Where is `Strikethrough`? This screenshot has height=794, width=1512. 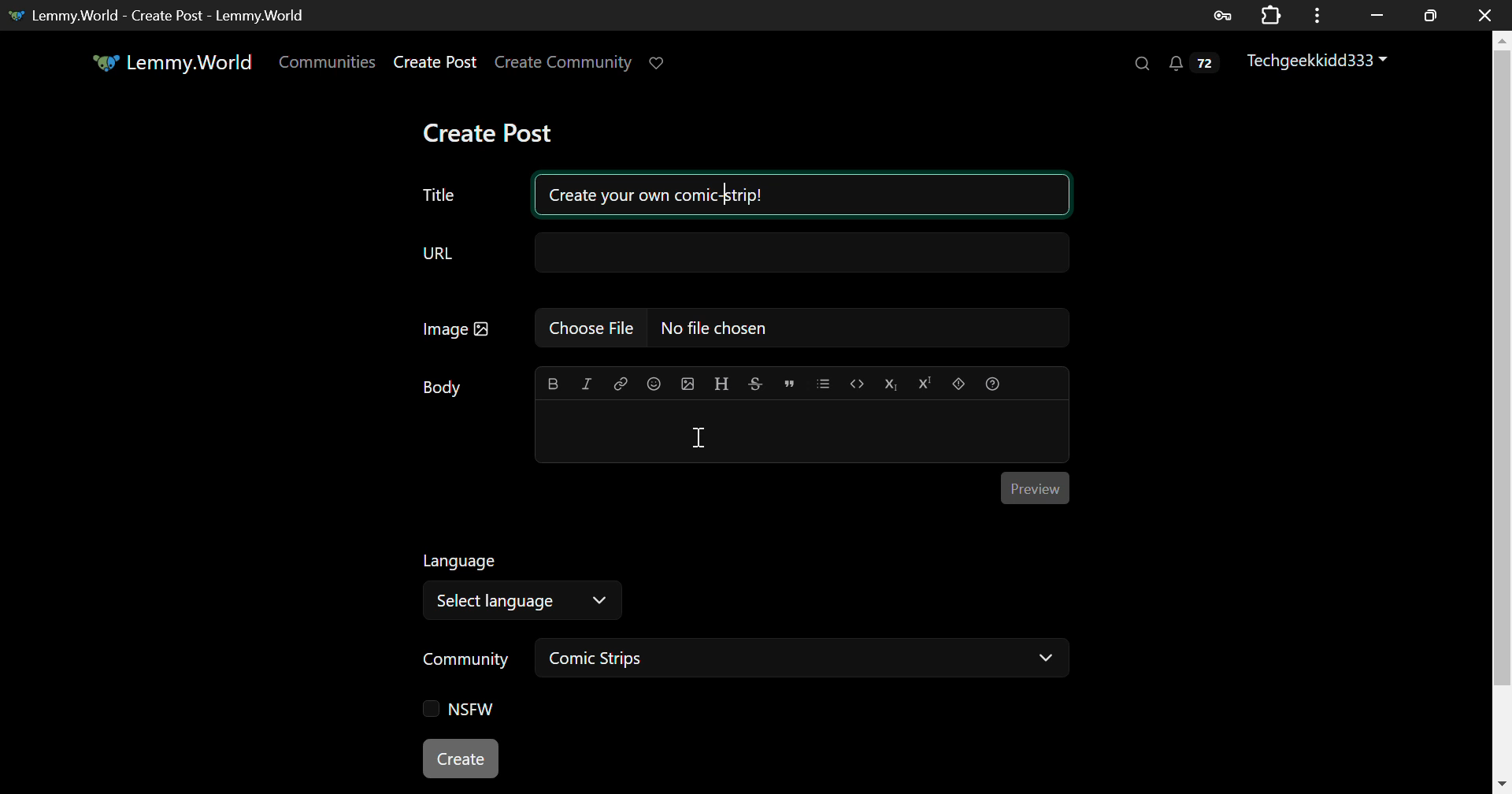 Strikethrough is located at coordinates (754, 384).